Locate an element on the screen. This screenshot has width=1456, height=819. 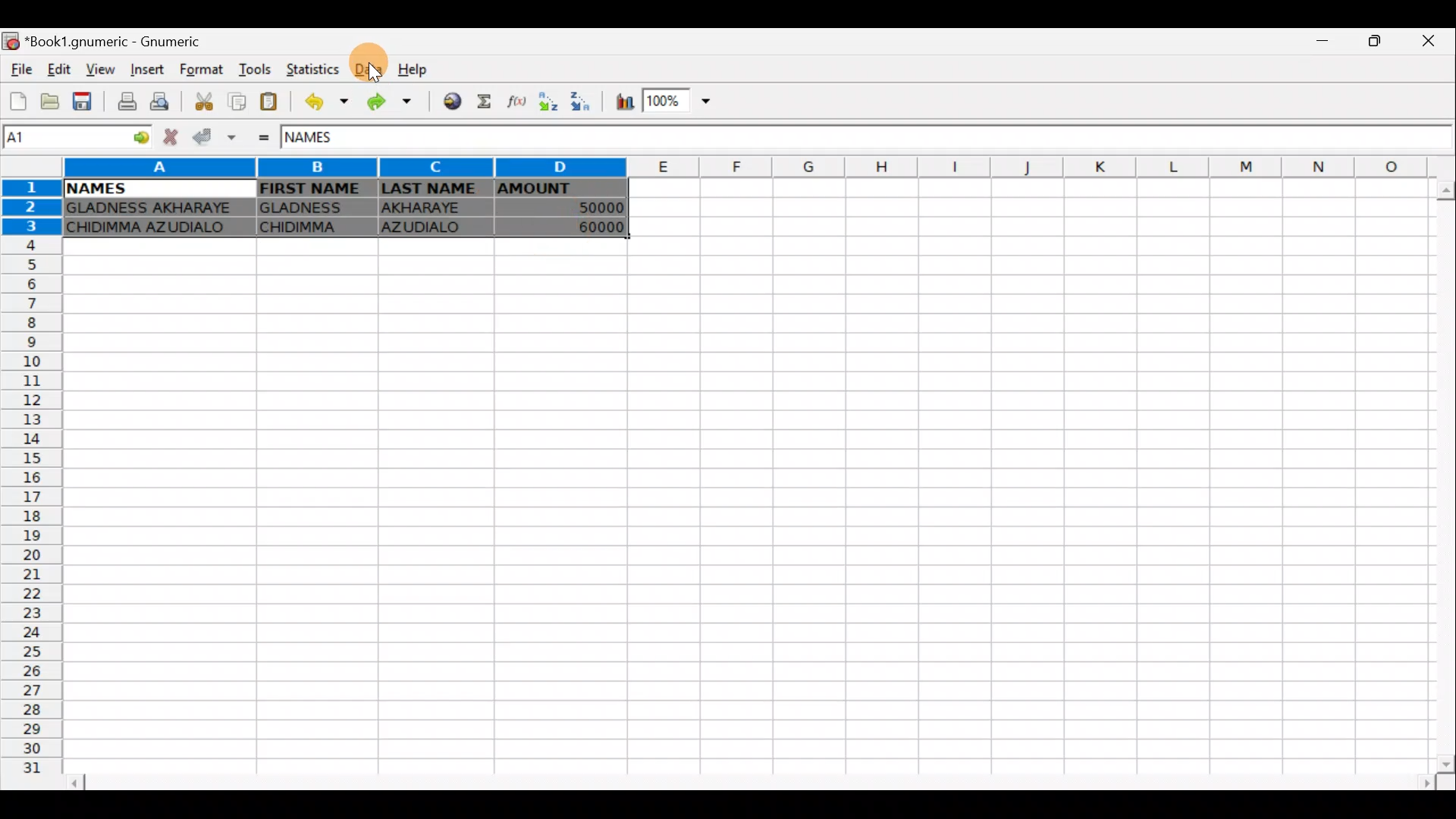
Cells is located at coordinates (737, 506).